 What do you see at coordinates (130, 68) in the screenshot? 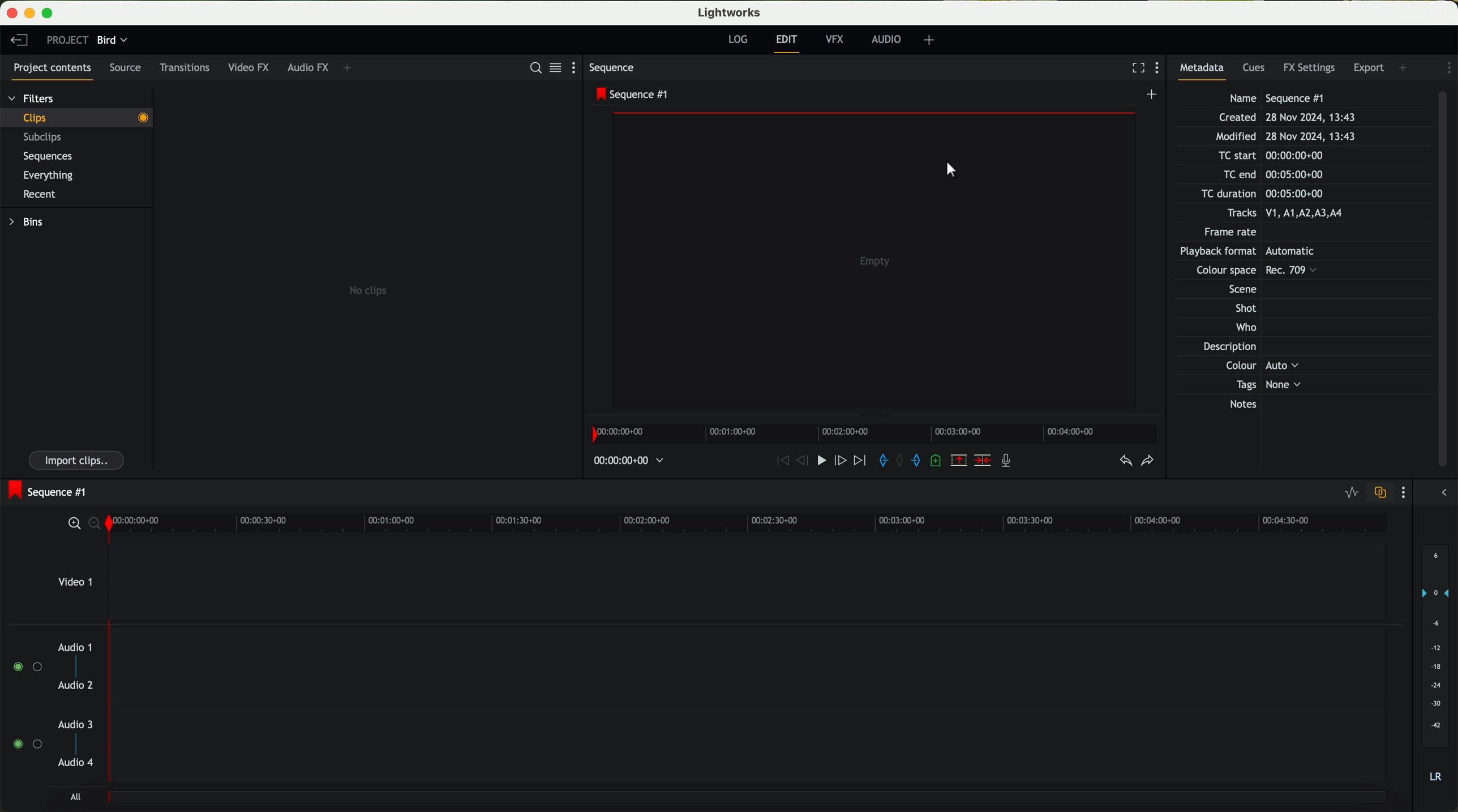
I see `source` at bounding box center [130, 68].